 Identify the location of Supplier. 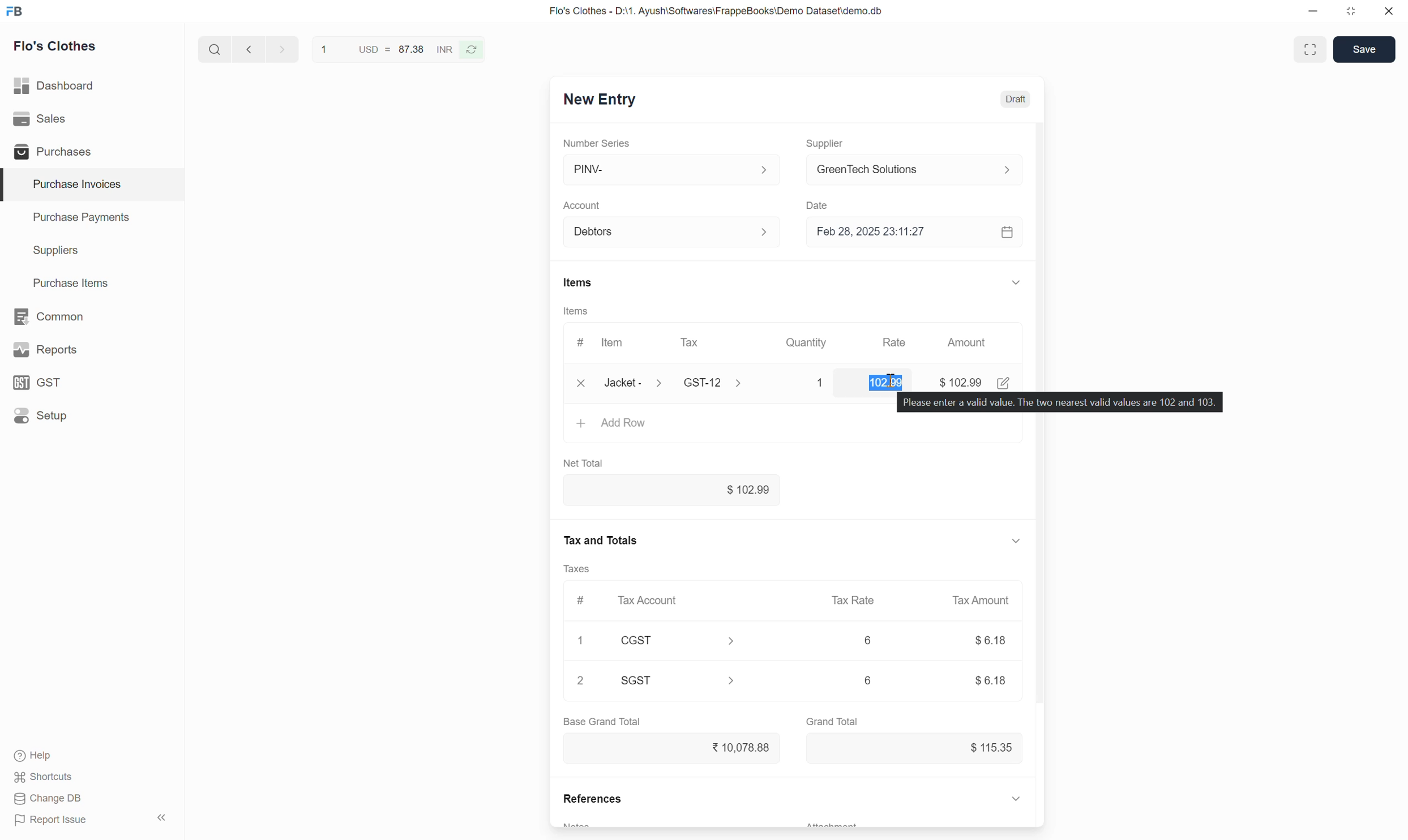
(829, 144).